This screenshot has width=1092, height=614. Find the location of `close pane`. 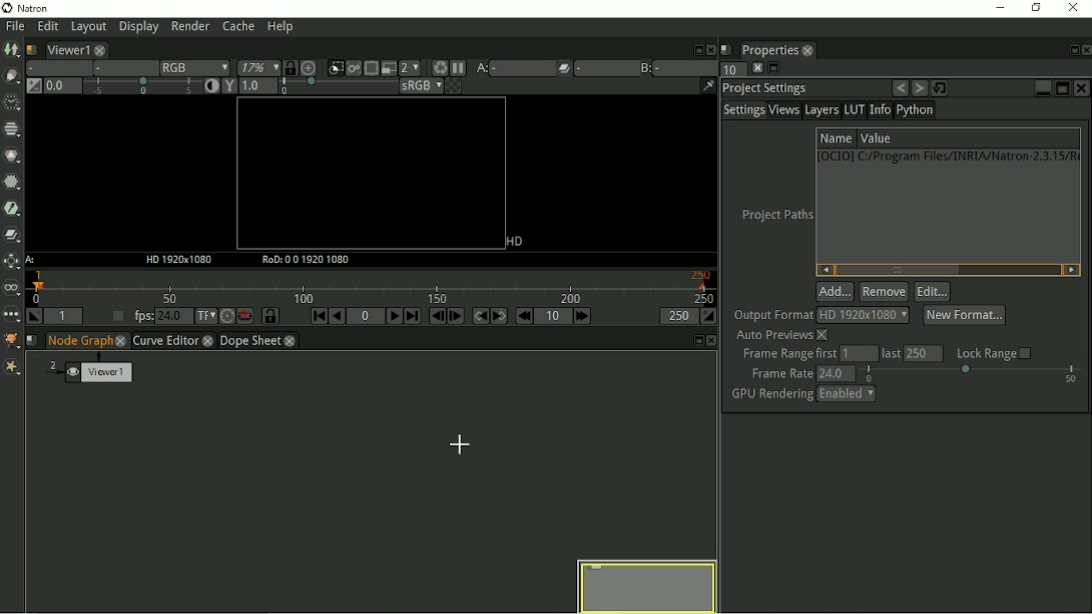

close pane is located at coordinates (755, 68).